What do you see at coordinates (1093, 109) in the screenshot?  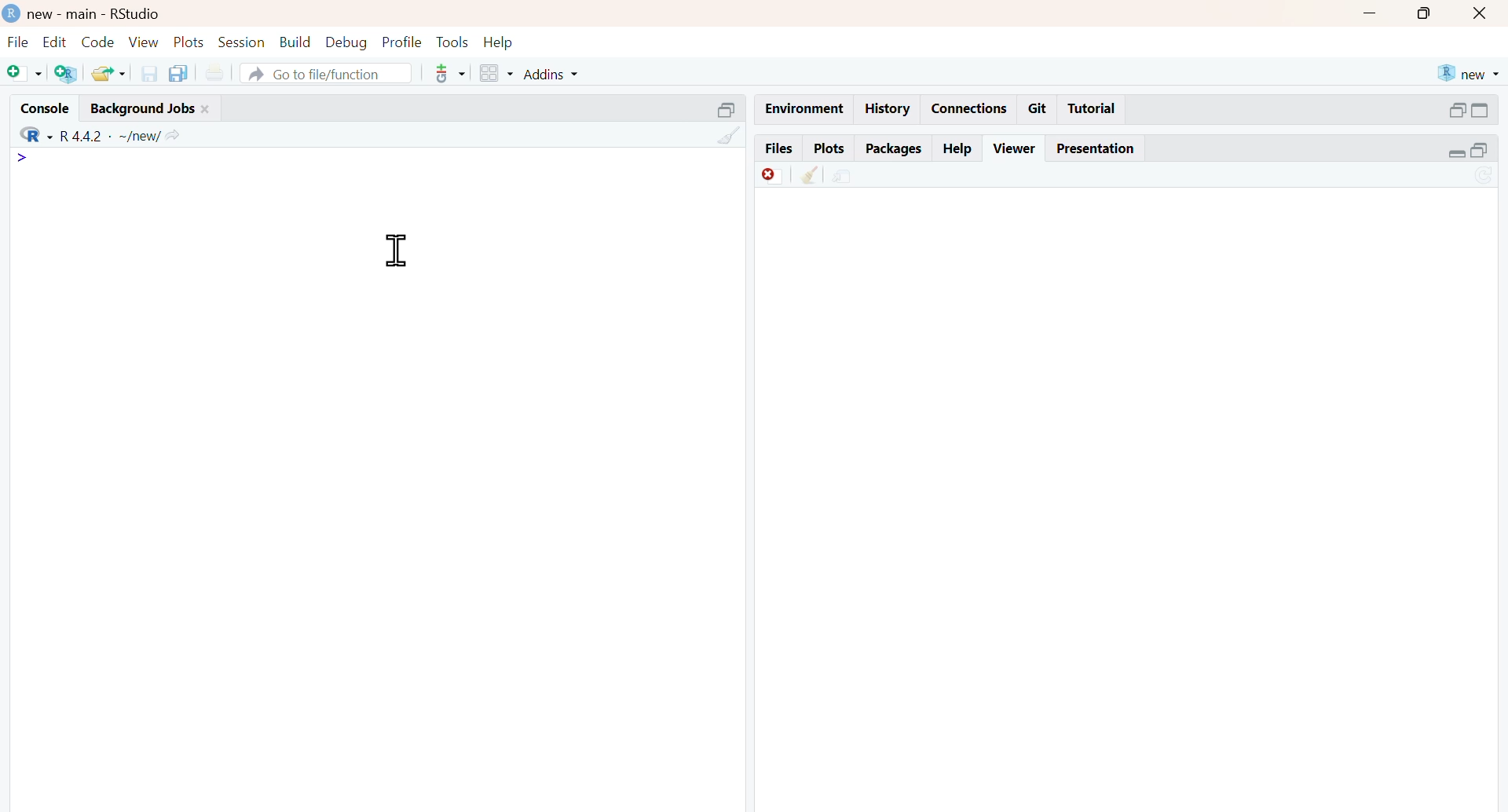 I see `tutorial` at bounding box center [1093, 109].